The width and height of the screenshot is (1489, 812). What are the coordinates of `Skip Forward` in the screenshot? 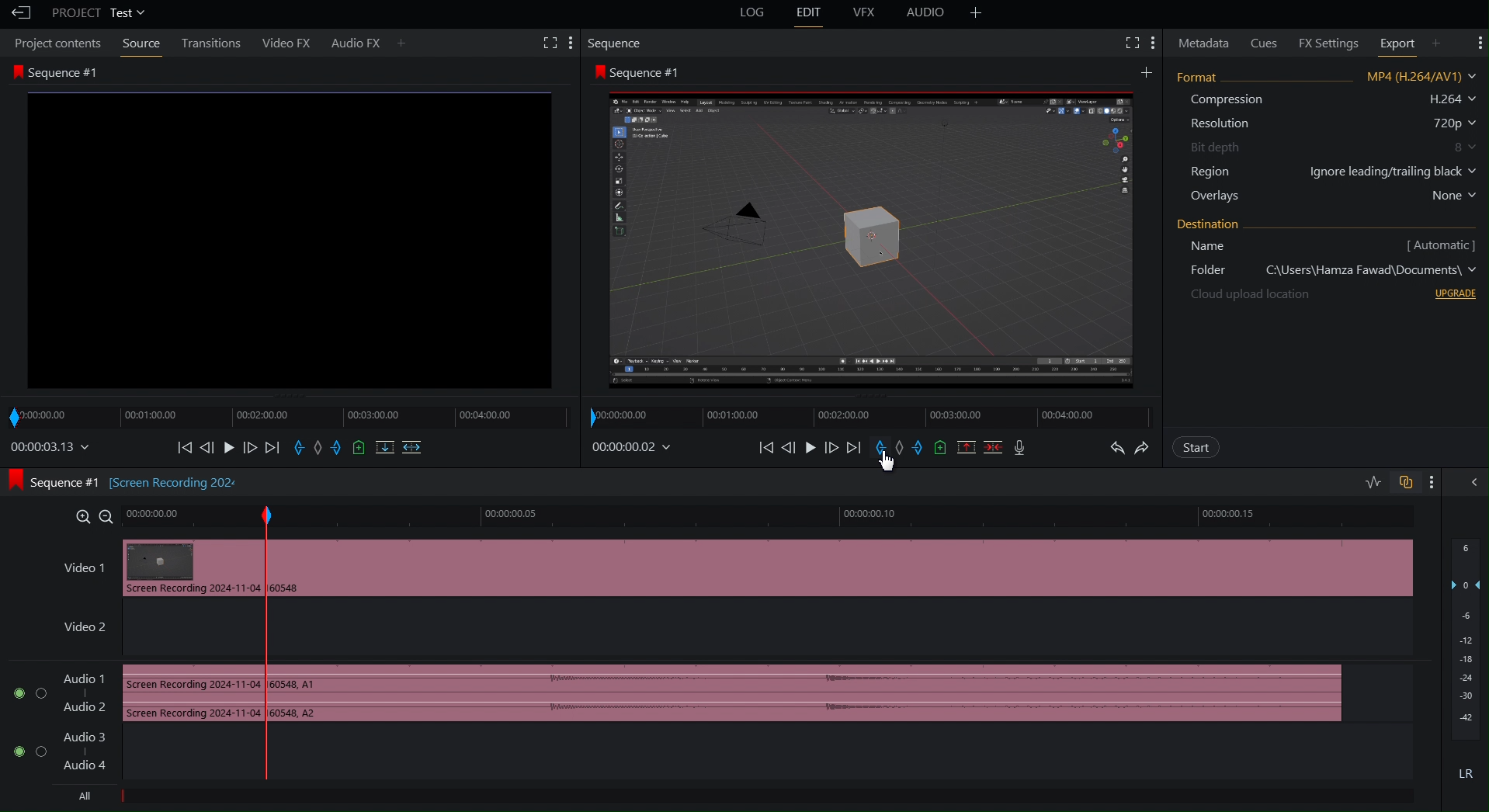 It's located at (854, 448).